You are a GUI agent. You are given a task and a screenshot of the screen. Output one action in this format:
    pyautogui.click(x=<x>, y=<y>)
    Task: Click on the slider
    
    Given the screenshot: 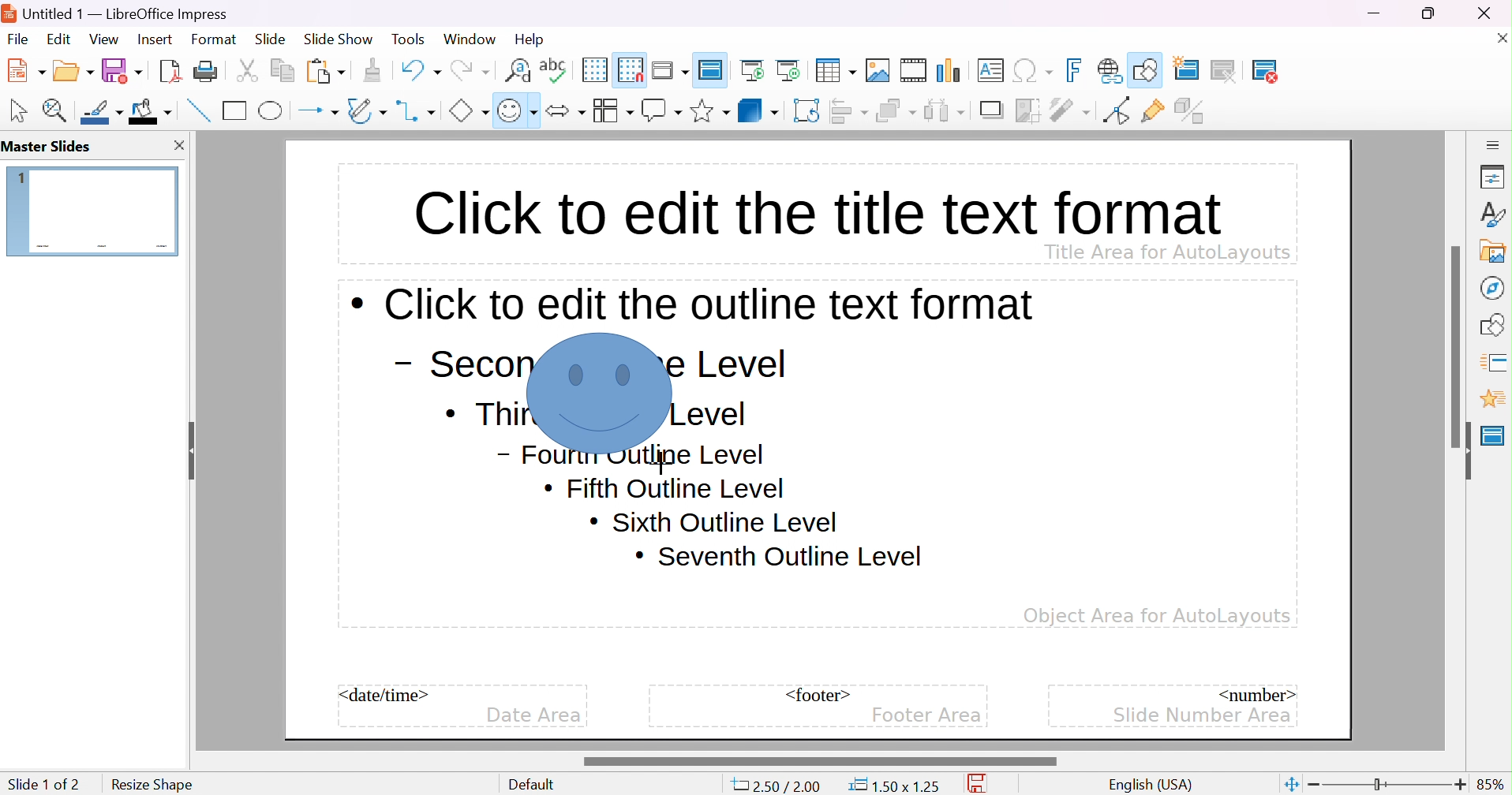 What is the action you would take?
    pyautogui.click(x=818, y=761)
    